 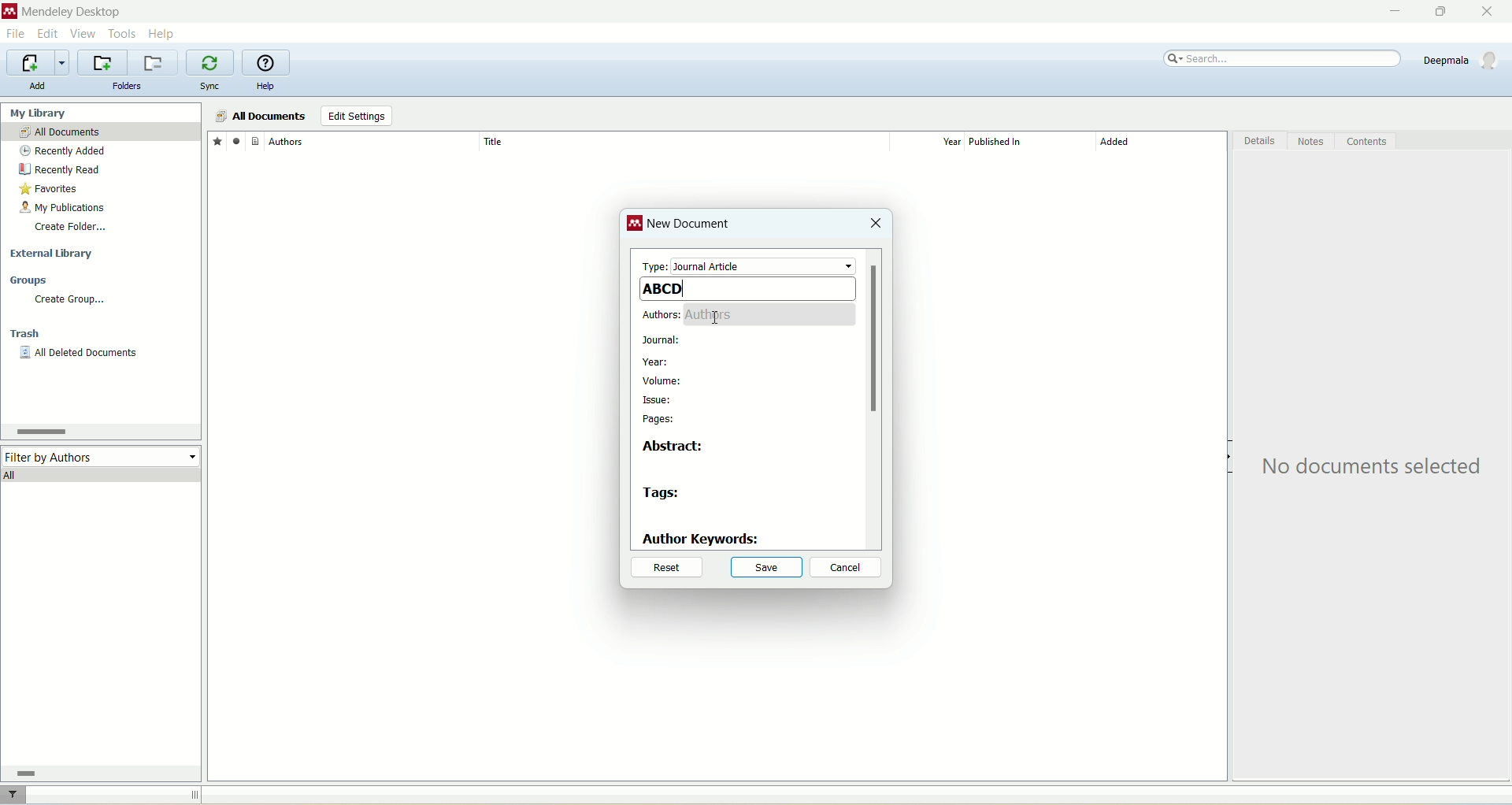 What do you see at coordinates (750, 265) in the screenshot?
I see `type` at bounding box center [750, 265].